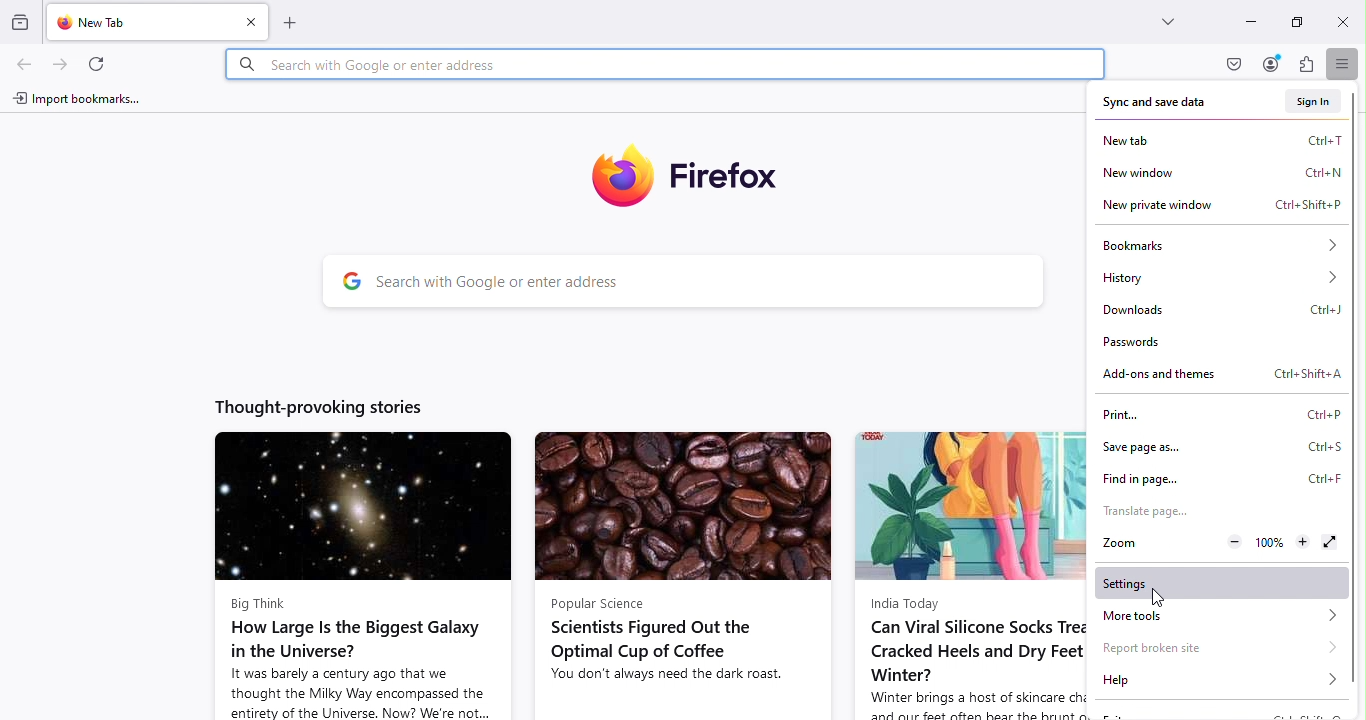 Image resolution: width=1366 pixels, height=720 pixels. Describe the element at coordinates (668, 65) in the screenshot. I see `Address bar` at that location.